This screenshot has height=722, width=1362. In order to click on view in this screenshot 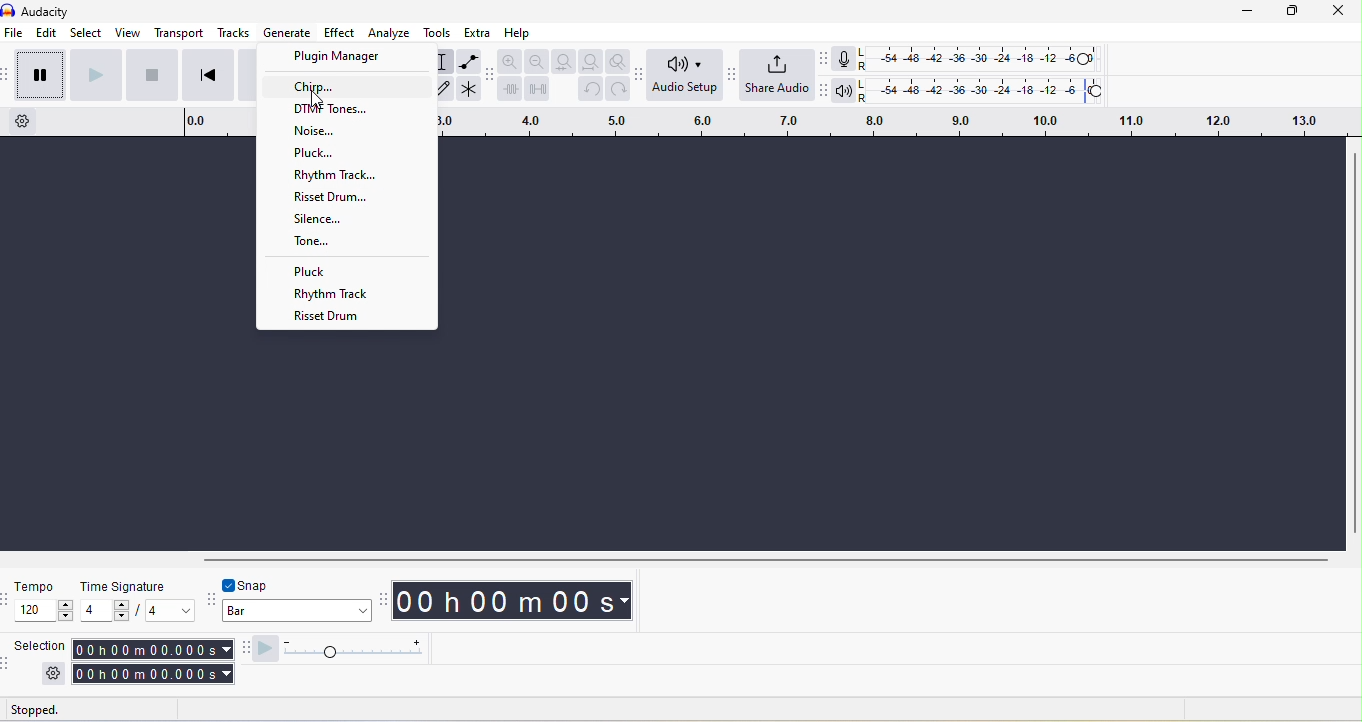, I will do `click(126, 32)`.